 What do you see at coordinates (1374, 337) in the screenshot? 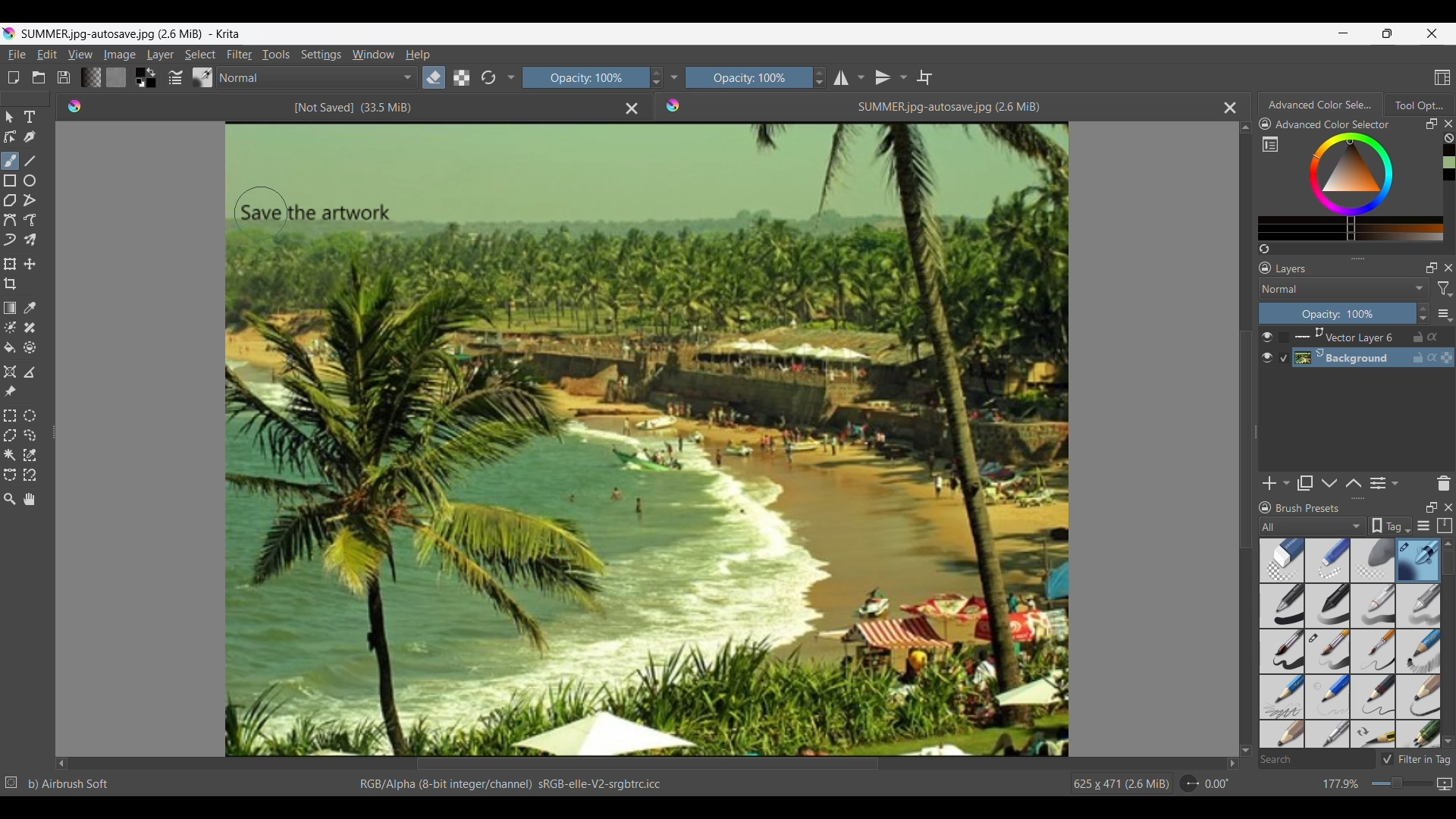
I see `Vector layer 6` at bounding box center [1374, 337].